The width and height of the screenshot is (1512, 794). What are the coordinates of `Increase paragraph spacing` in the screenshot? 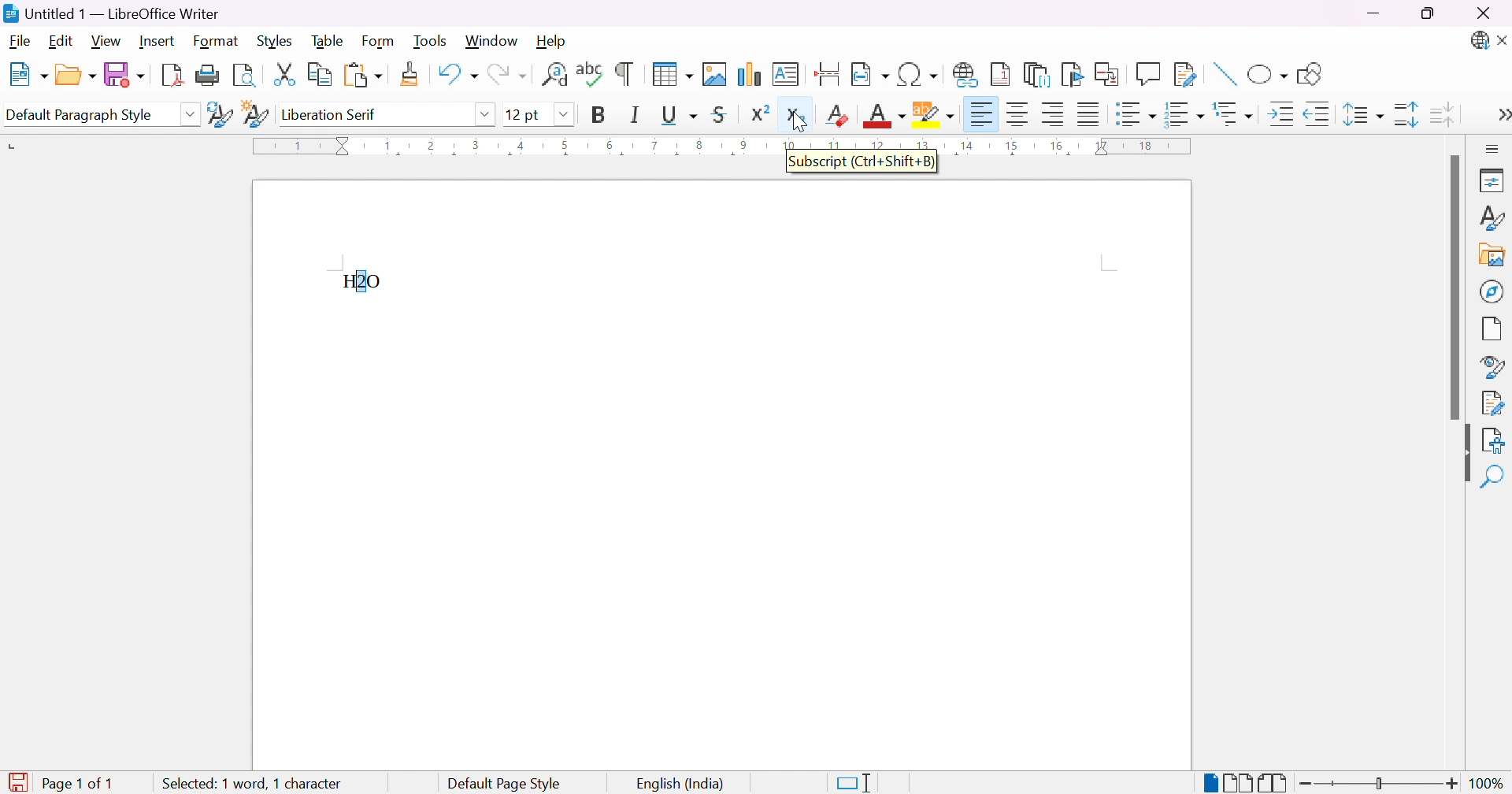 It's located at (1408, 114).